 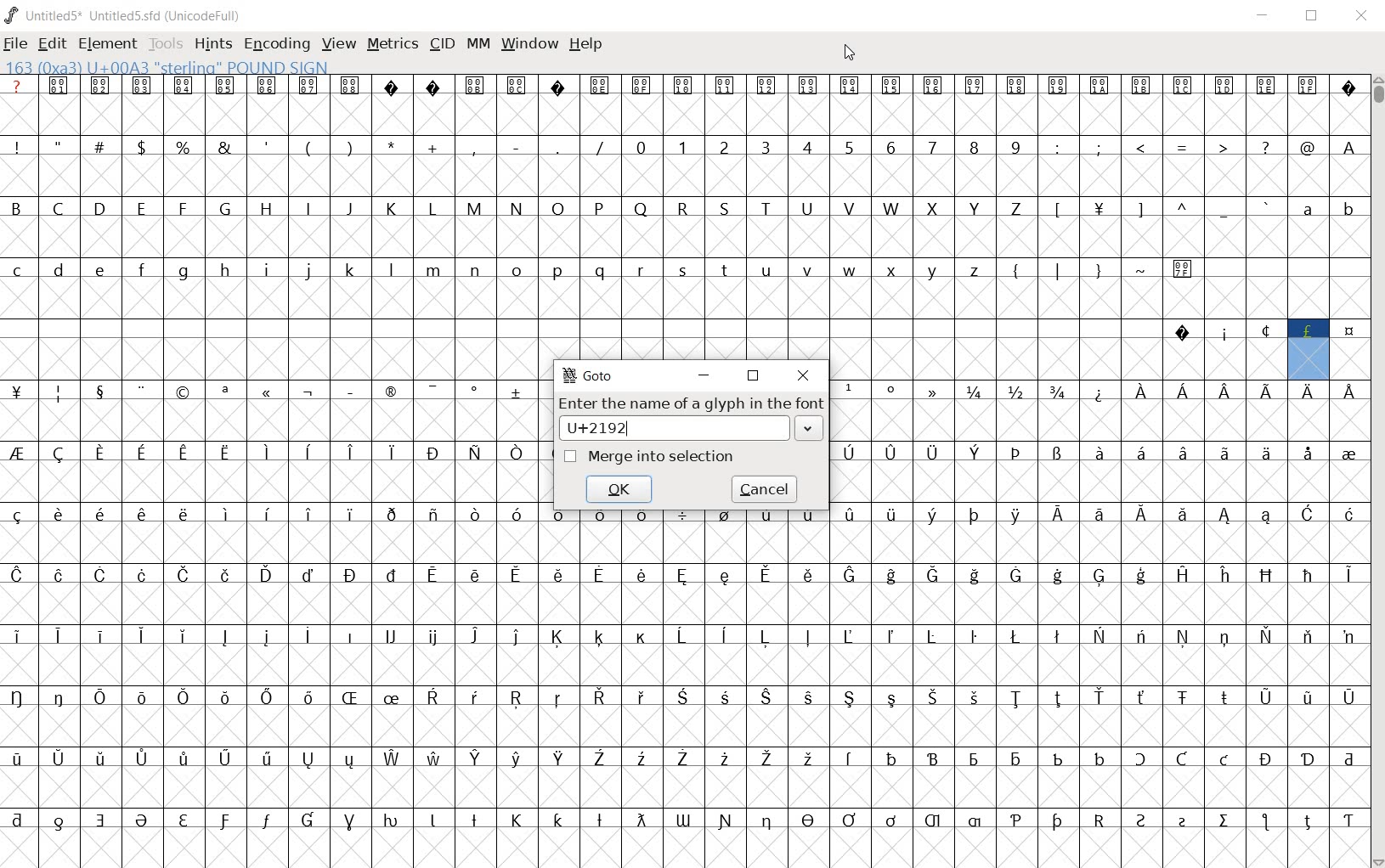 I want to click on MM, so click(x=480, y=45).